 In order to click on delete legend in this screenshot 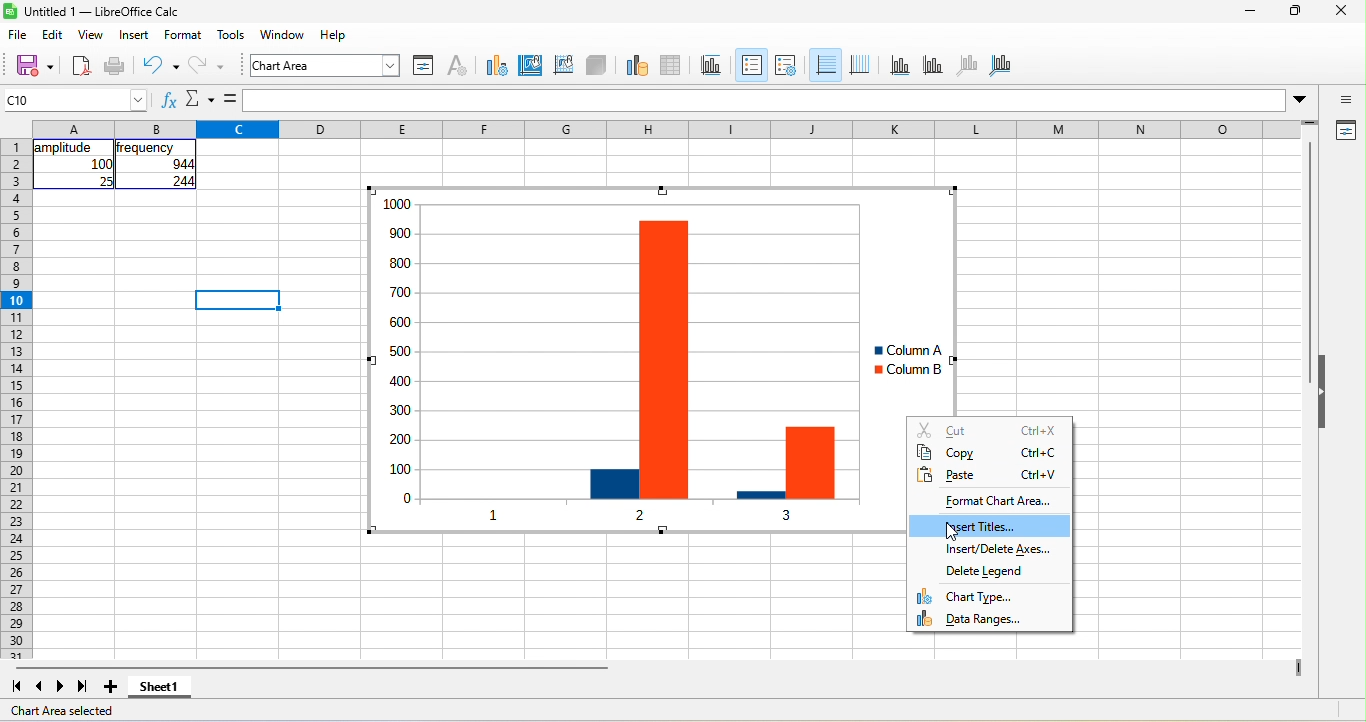, I will do `click(989, 572)`.